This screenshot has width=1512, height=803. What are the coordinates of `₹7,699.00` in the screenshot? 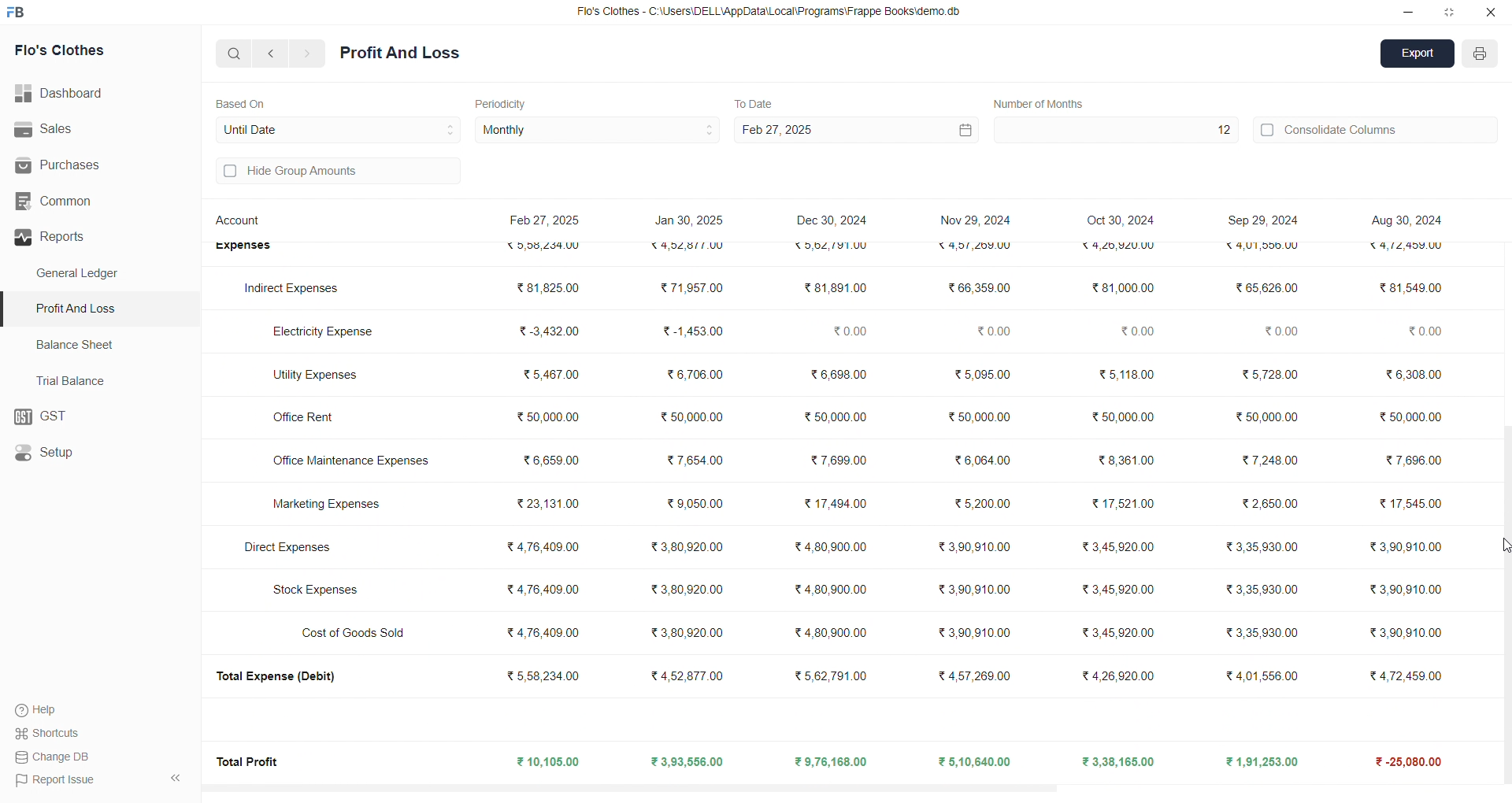 It's located at (836, 461).